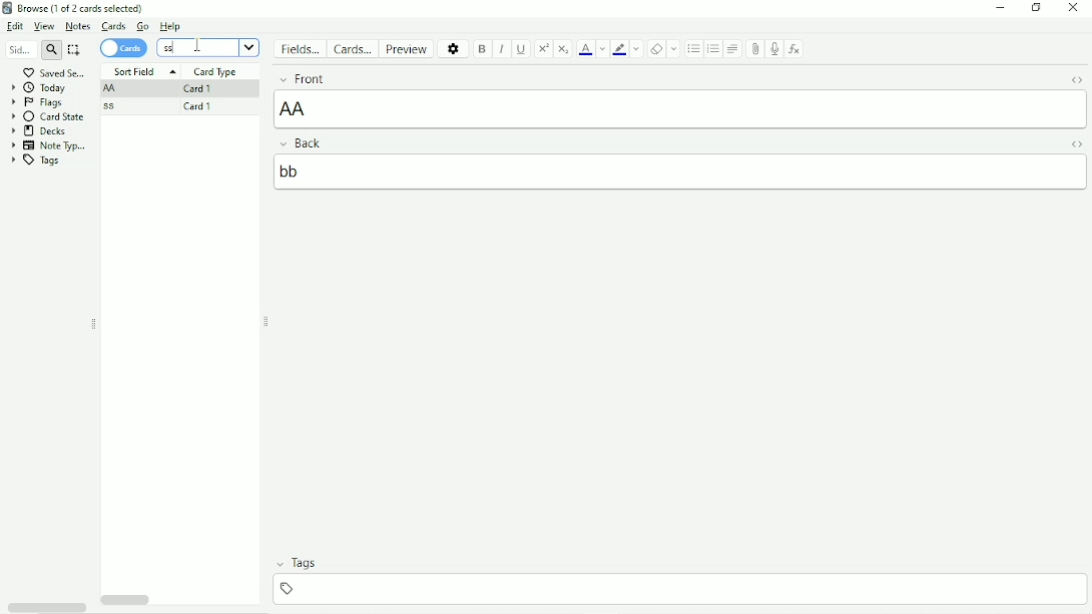 The height and width of the screenshot is (614, 1092). Describe the element at coordinates (81, 8) in the screenshot. I see `Browse` at that location.